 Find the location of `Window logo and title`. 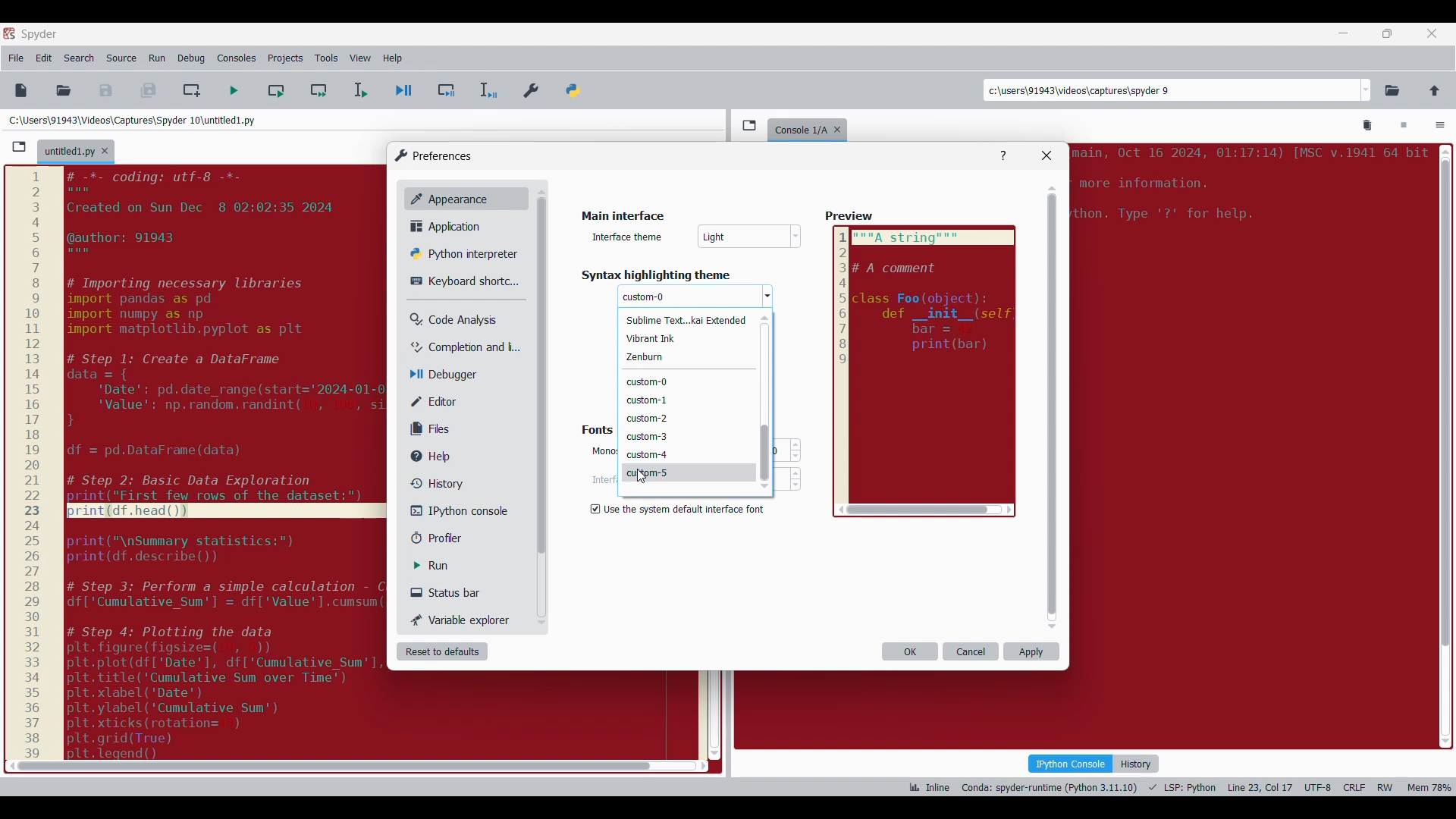

Window logo and title is located at coordinates (434, 155).